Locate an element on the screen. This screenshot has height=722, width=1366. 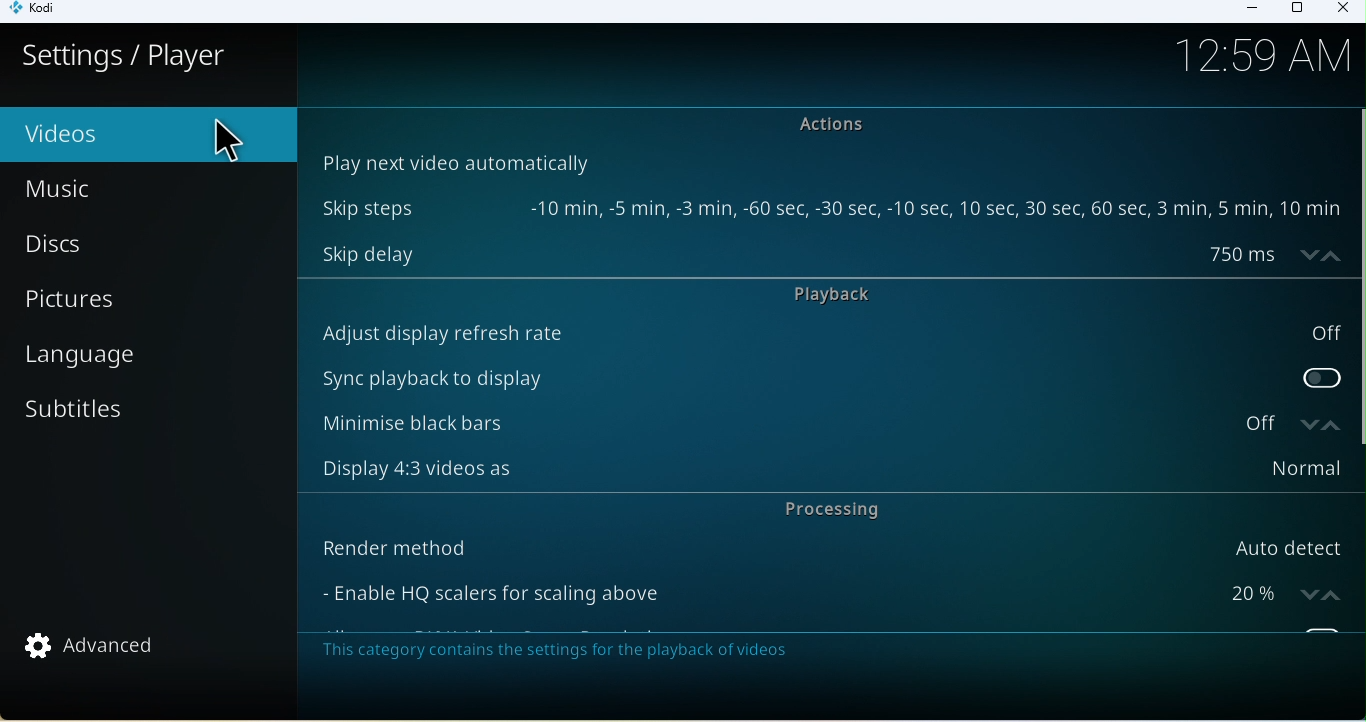
increase/decrease is located at coordinates (1323, 589).